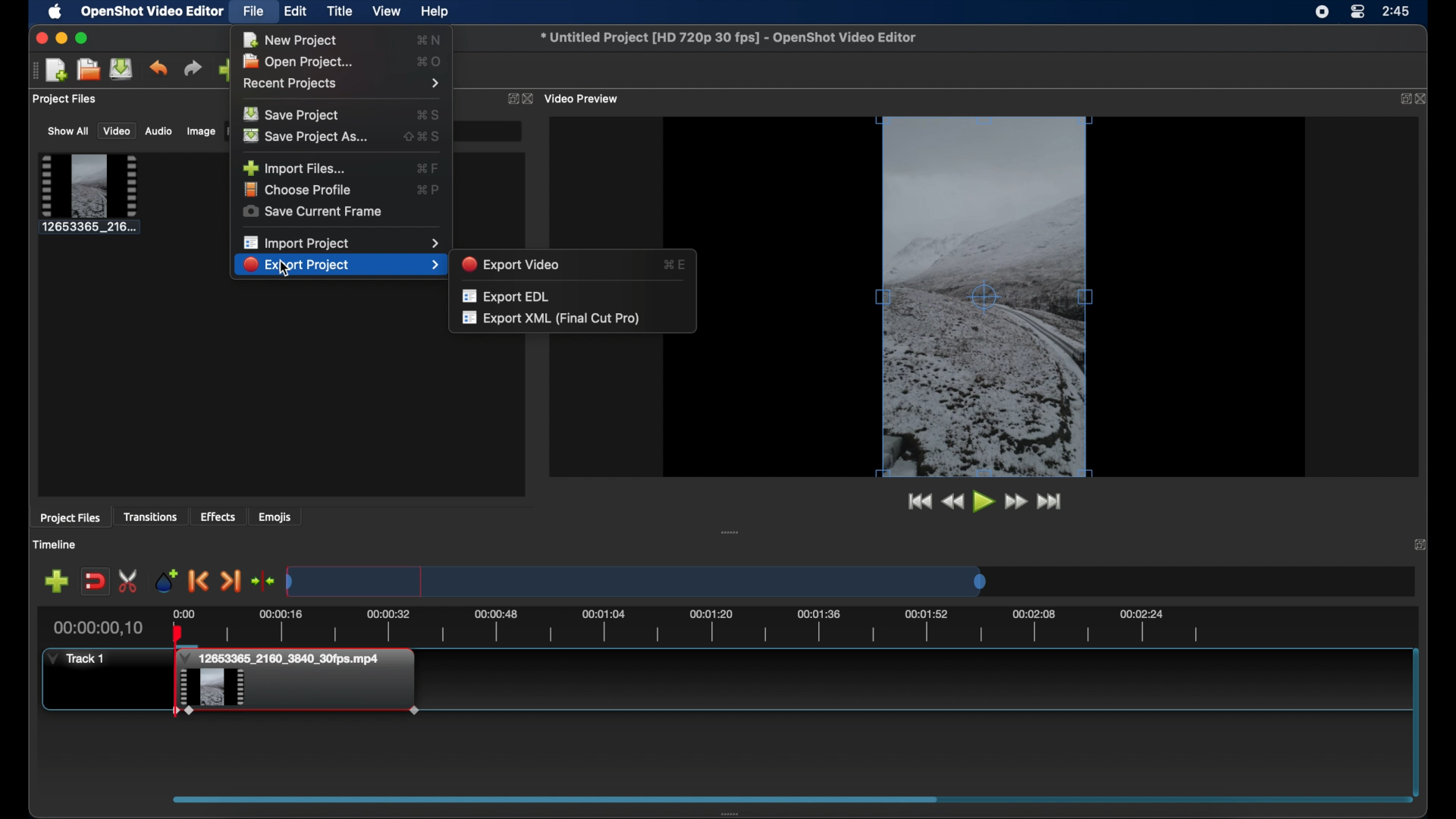  I want to click on recent projects menu, so click(344, 84).